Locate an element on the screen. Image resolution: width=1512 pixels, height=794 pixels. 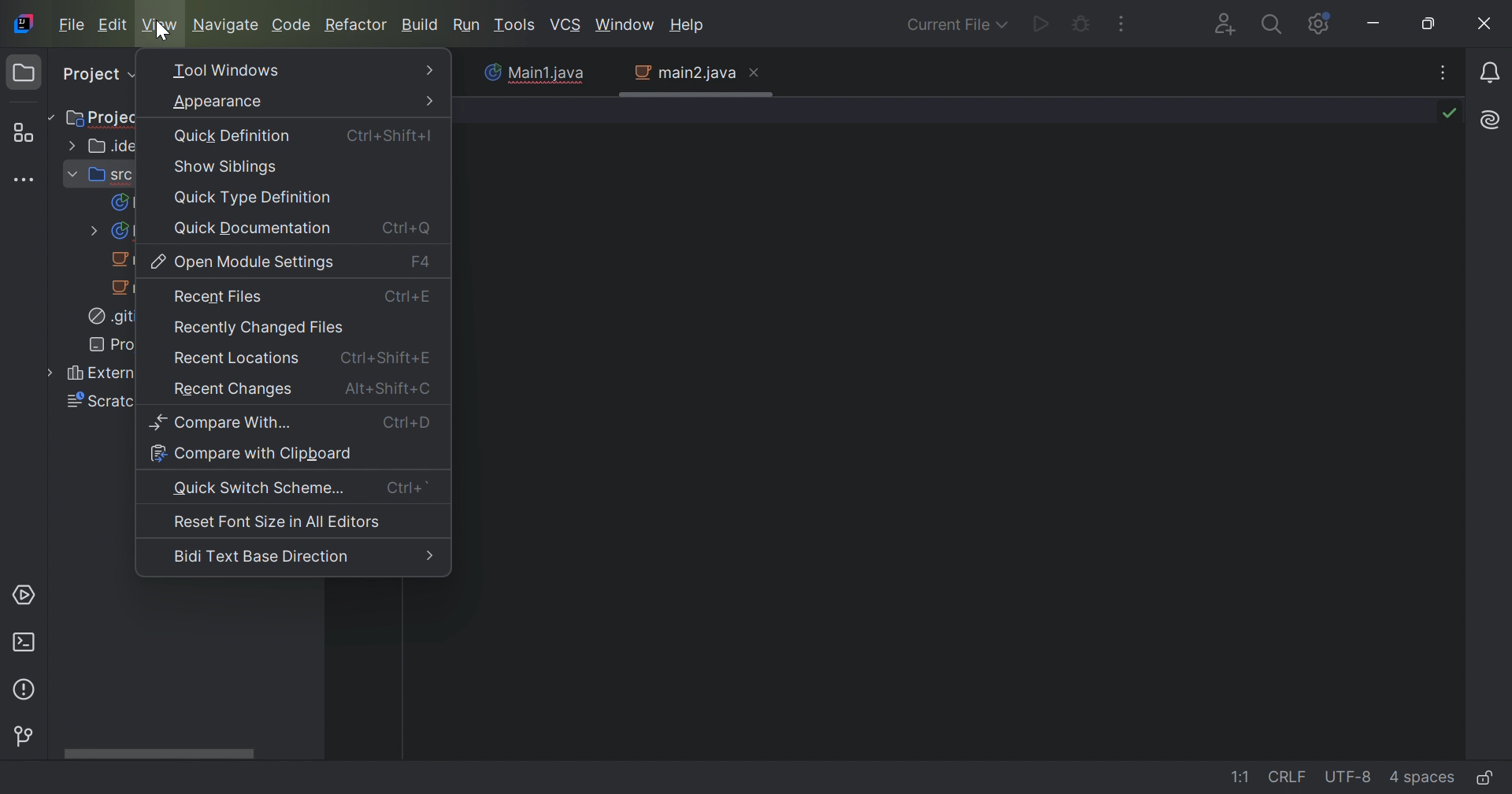
Debug is located at coordinates (1082, 21).